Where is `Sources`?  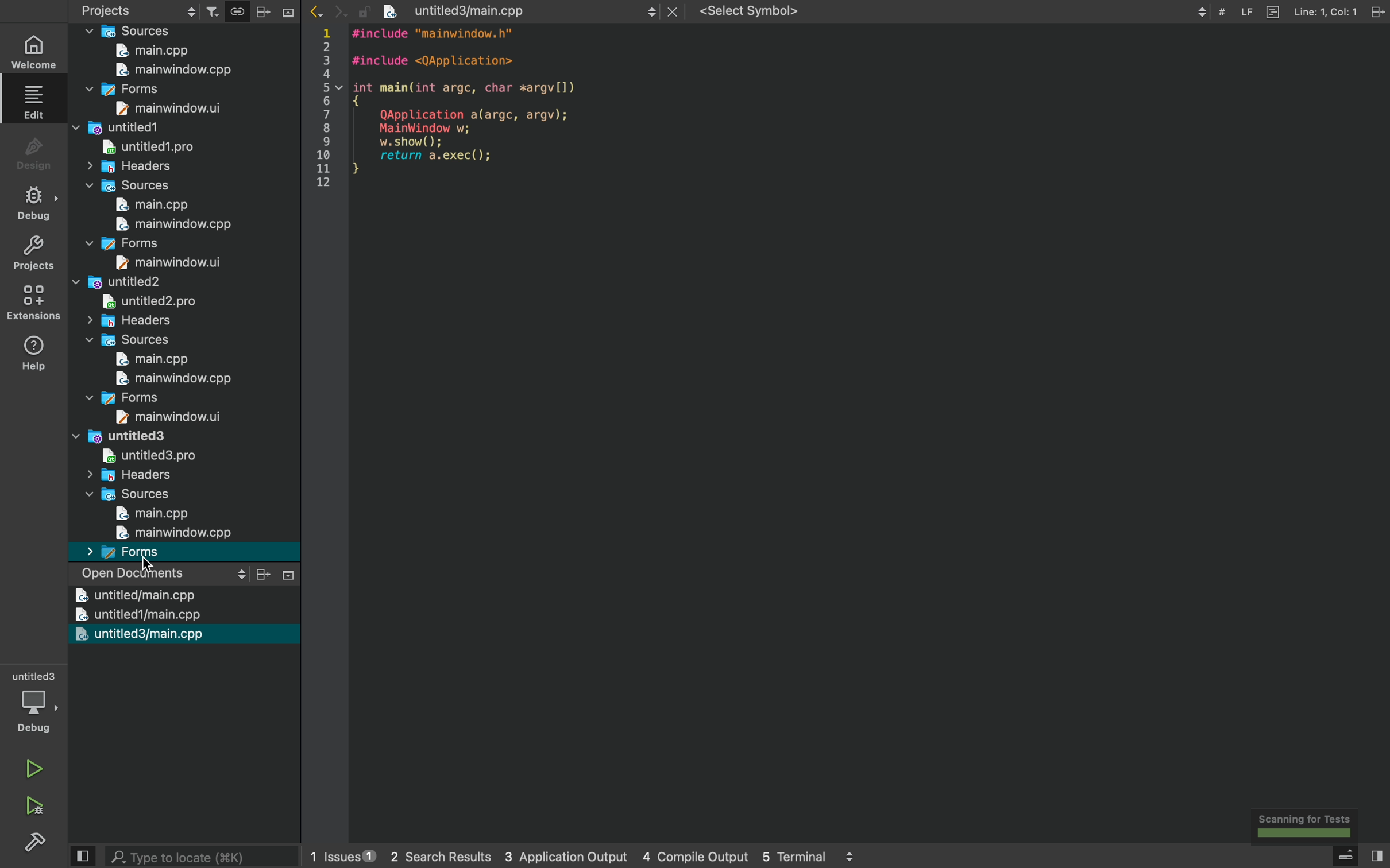 Sources is located at coordinates (129, 187).